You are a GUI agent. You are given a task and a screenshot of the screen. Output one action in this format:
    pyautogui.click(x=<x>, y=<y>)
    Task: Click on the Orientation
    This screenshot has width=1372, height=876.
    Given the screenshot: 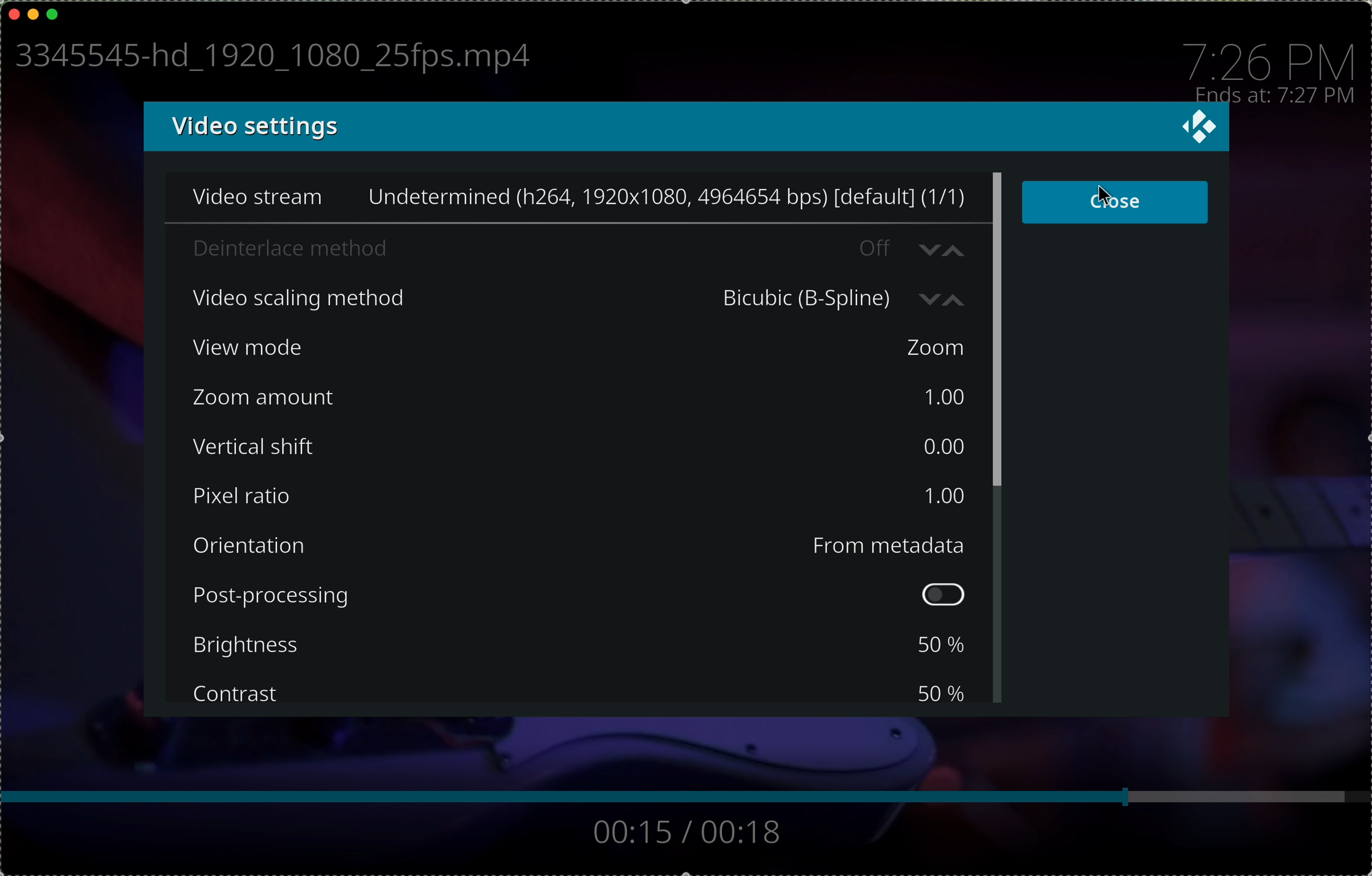 What is the action you would take?
    pyautogui.click(x=279, y=546)
    